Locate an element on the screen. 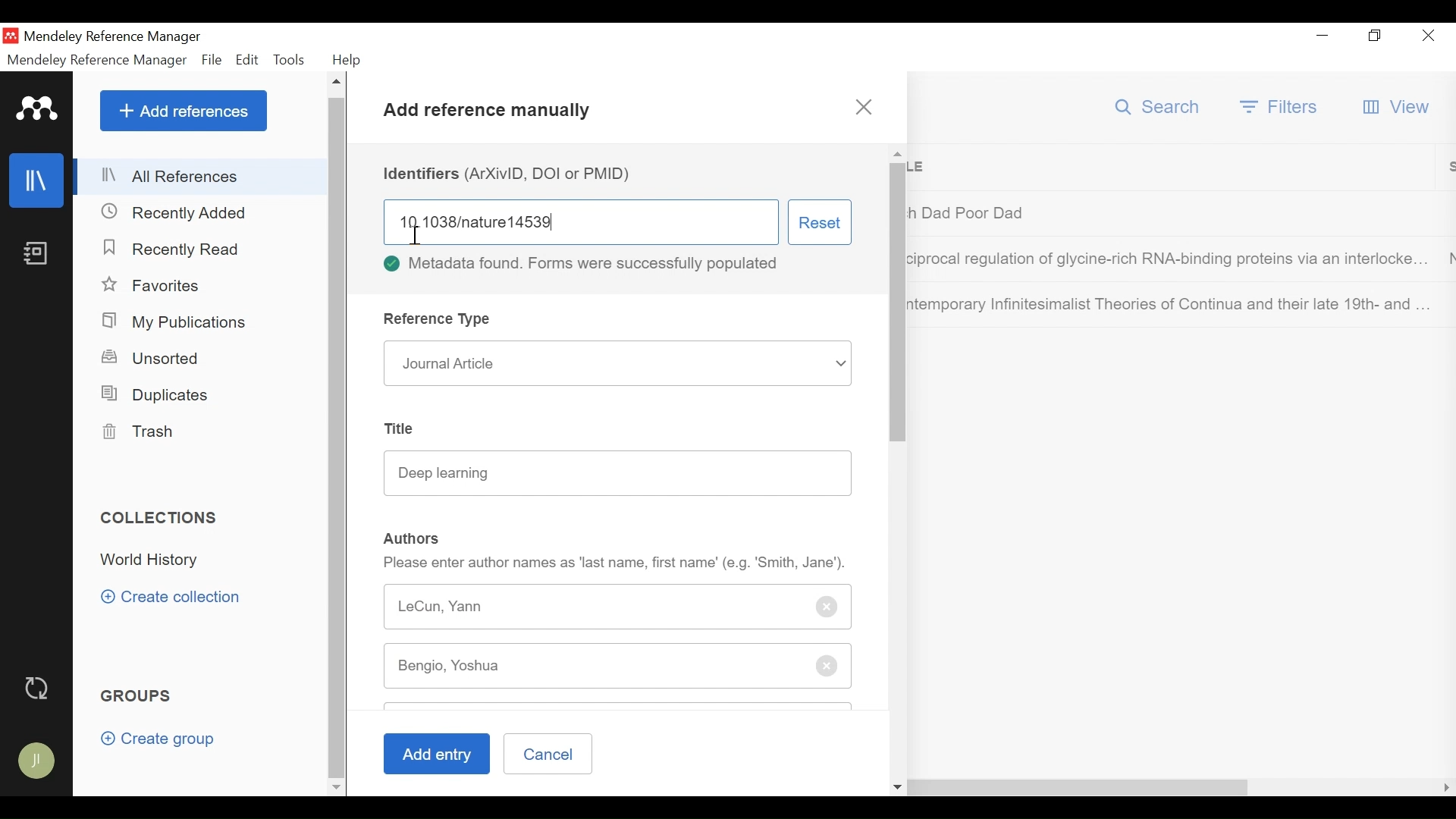 The height and width of the screenshot is (819, 1456). Create group is located at coordinates (158, 739).